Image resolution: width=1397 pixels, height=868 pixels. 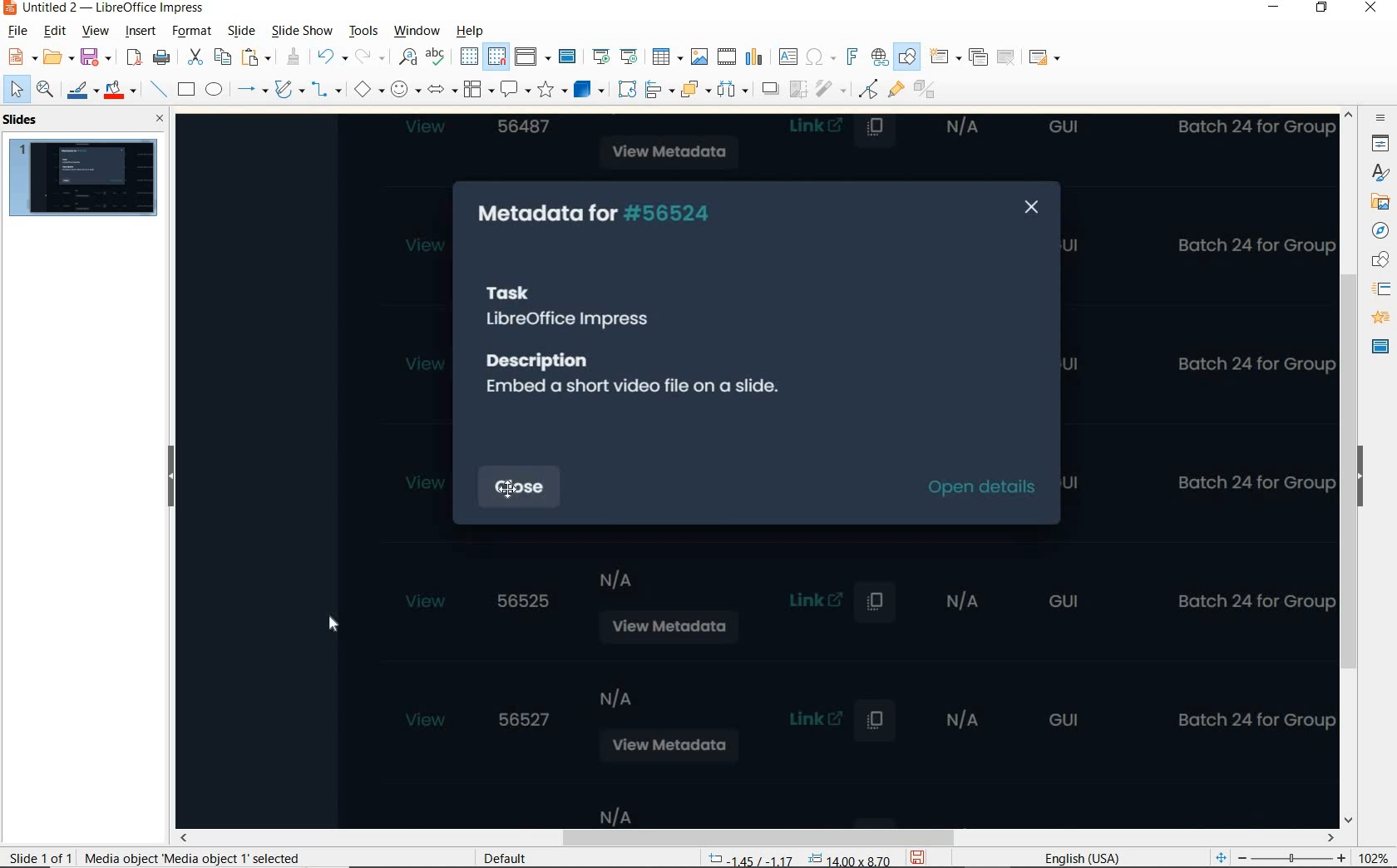 I want to click on icon, so click(x=829, y=91).